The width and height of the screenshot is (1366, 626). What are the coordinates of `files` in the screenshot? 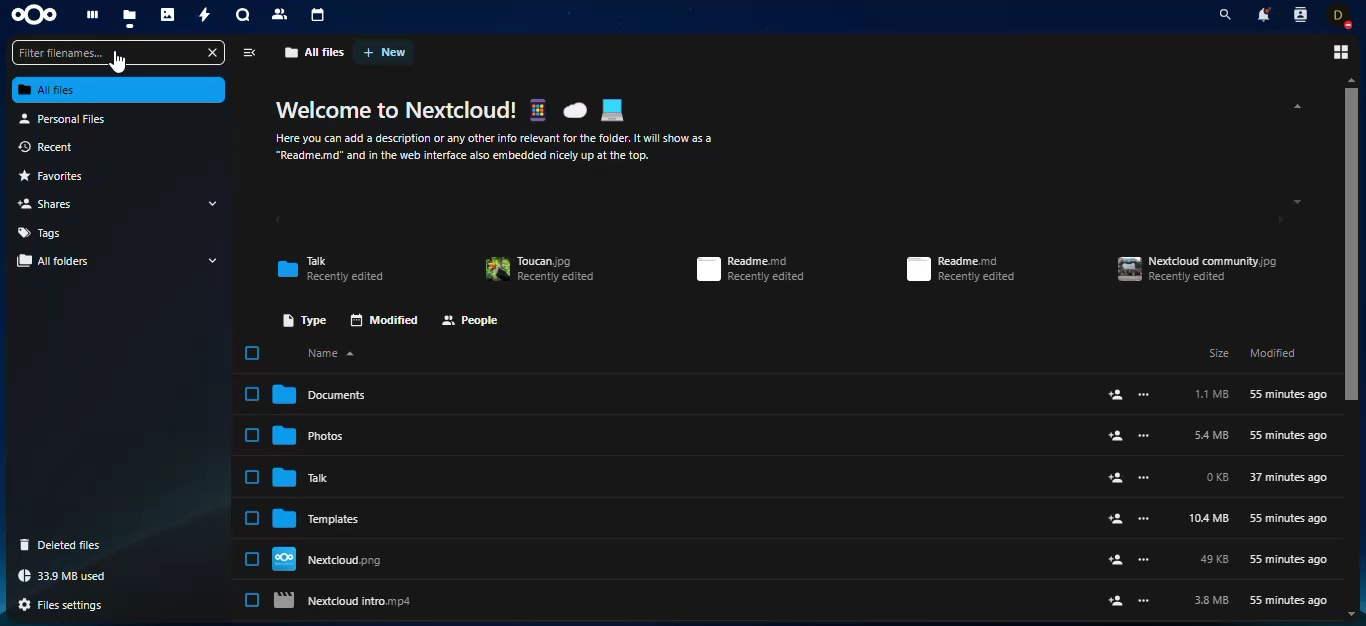 It's located at (130, 17).